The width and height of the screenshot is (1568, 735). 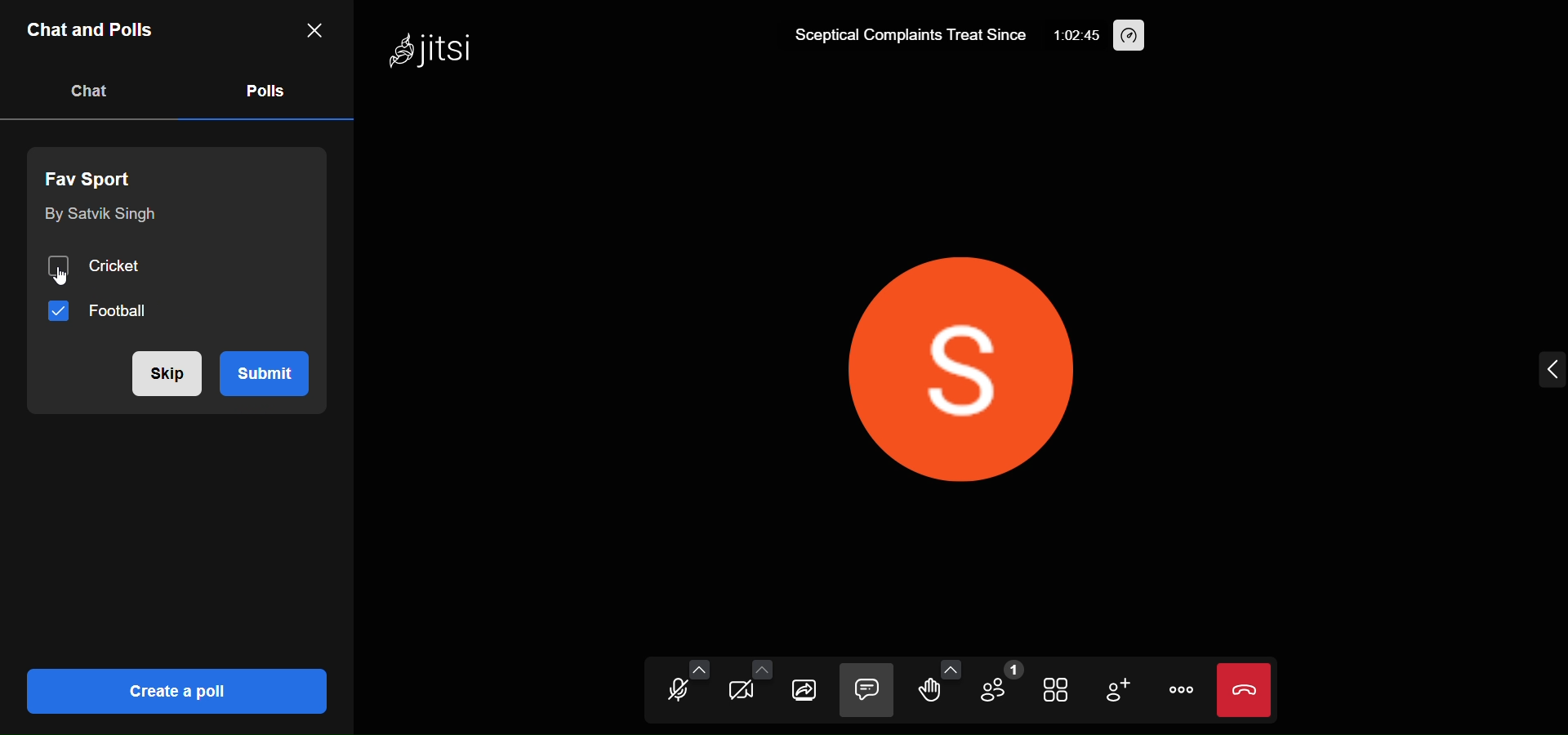 I want to click on Football, so click(x=102, y=312).